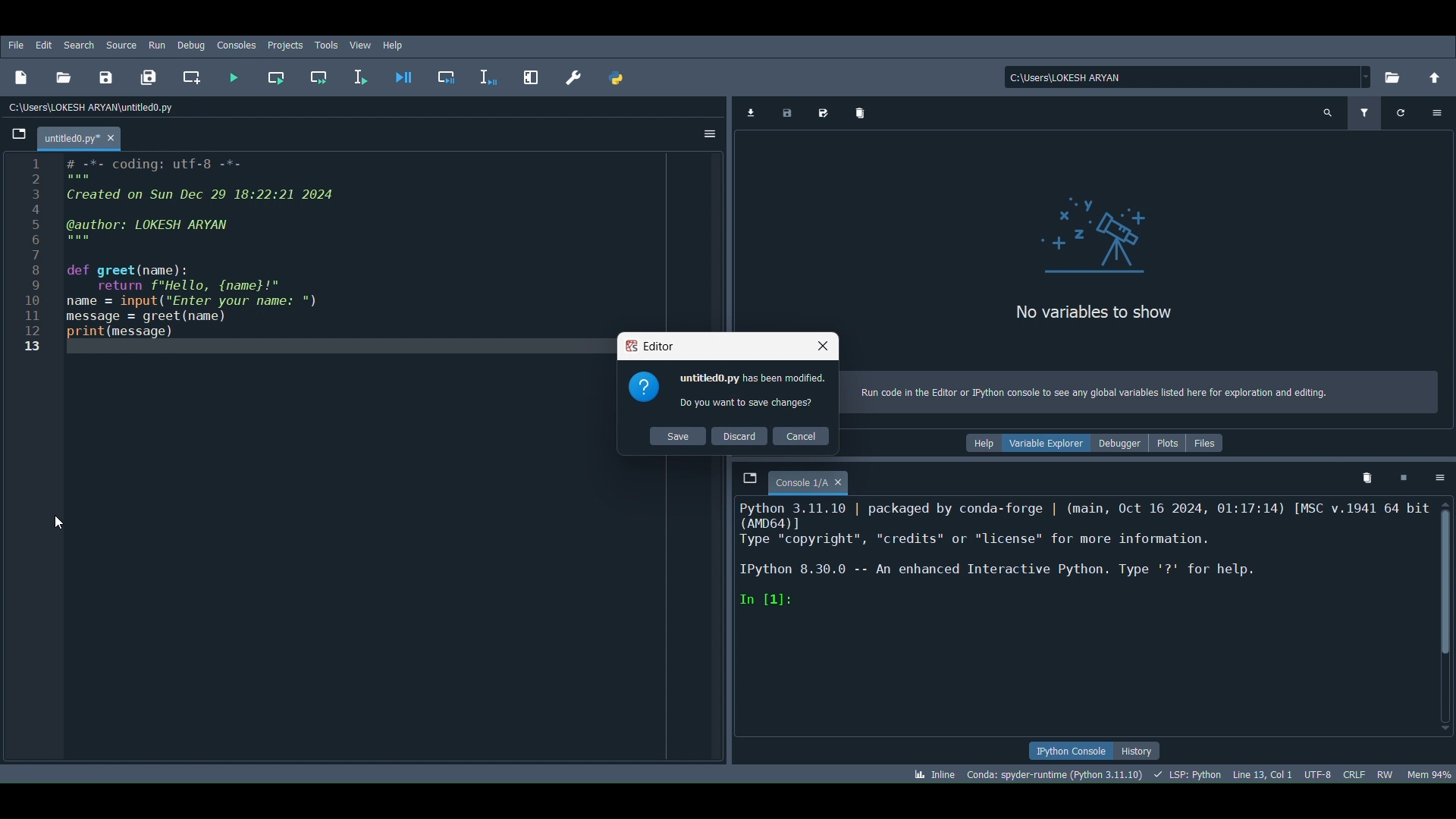 The image size is (1456, 819). I want to click on Open file (Ctrl + O), so click(64, 76).